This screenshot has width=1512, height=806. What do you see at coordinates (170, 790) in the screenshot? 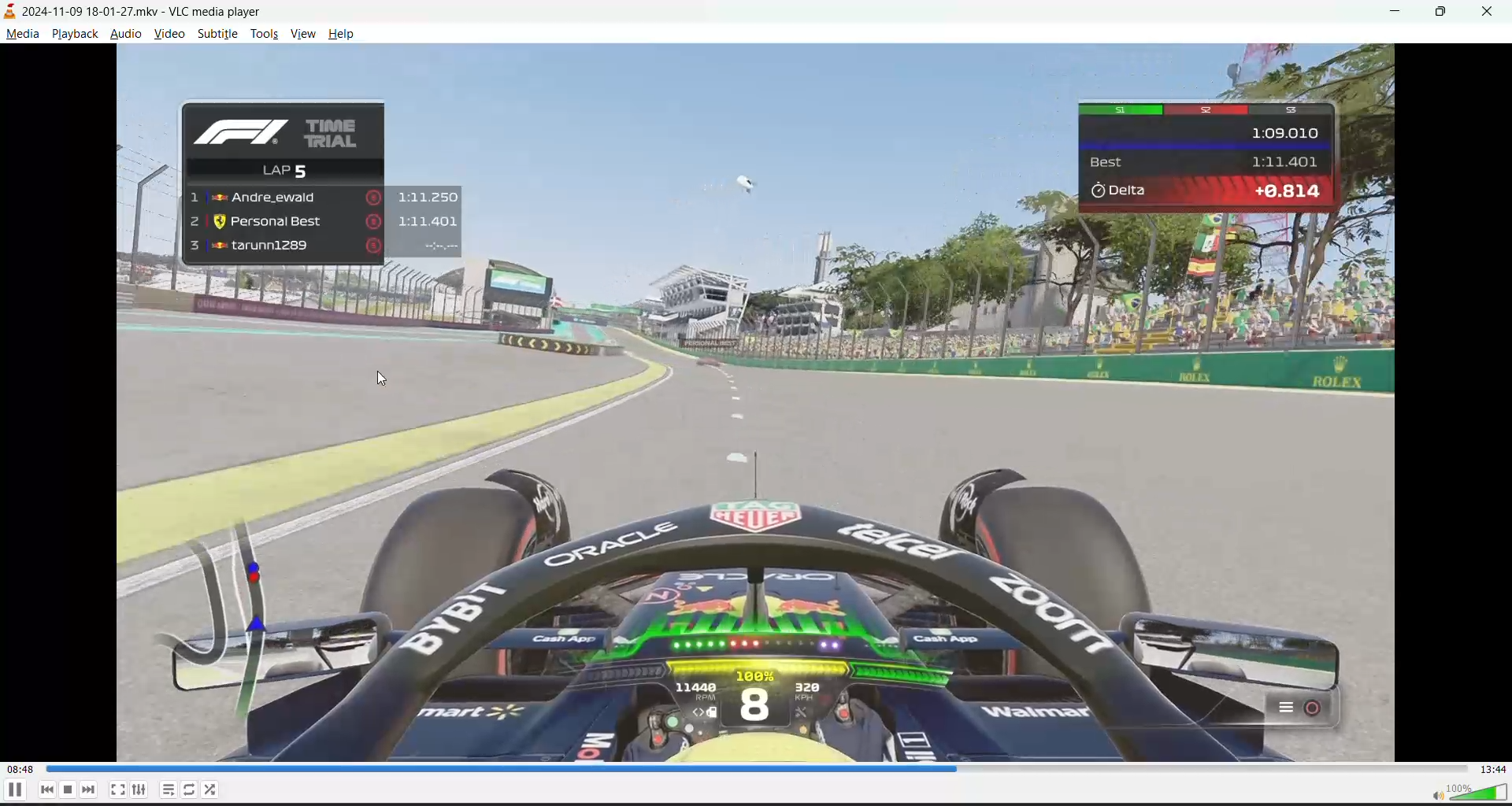
I see `playlists` at bounding box center [170, 790].